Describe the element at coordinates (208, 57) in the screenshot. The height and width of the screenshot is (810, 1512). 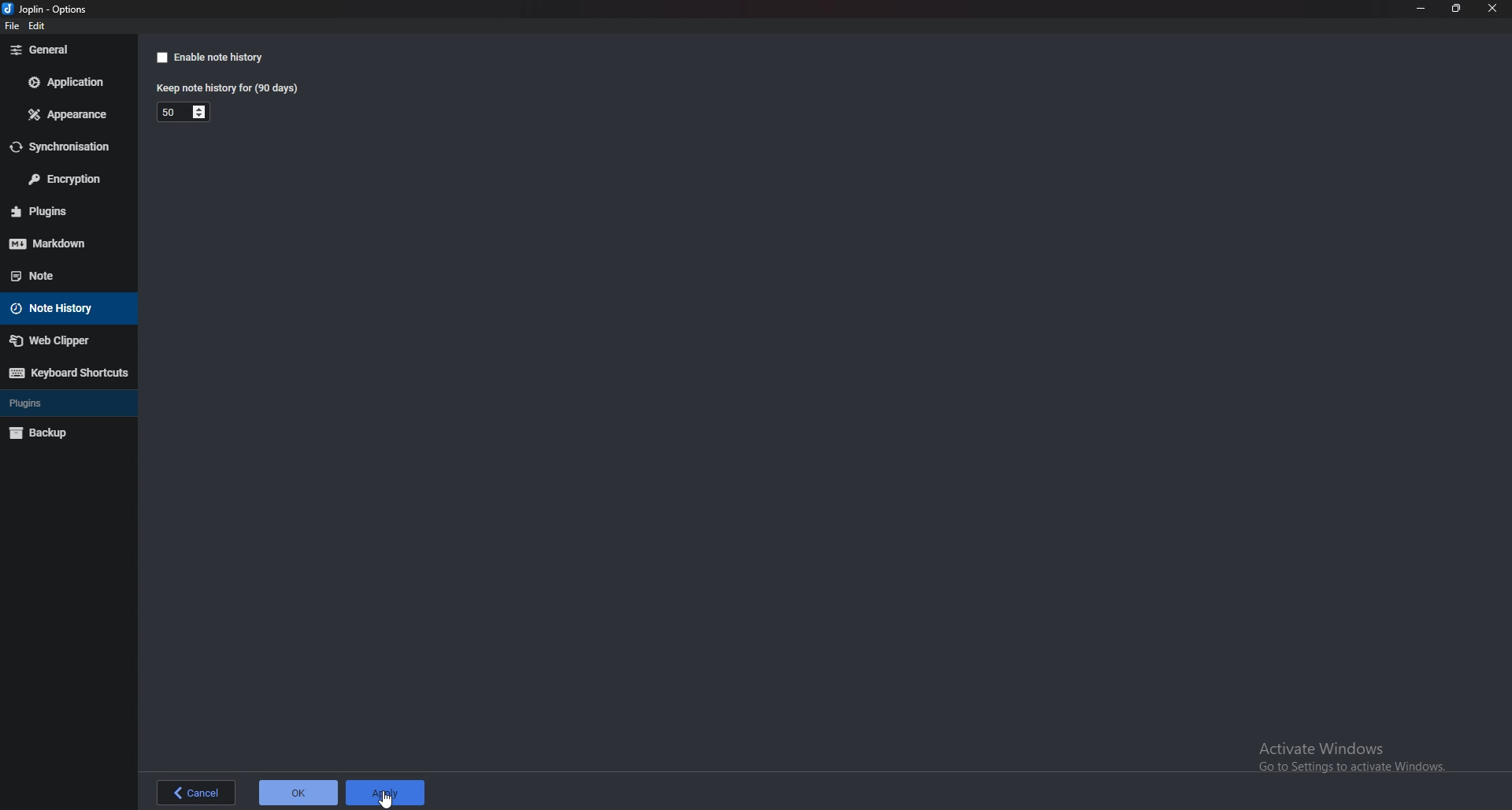
I see `Enable note history` at that location.